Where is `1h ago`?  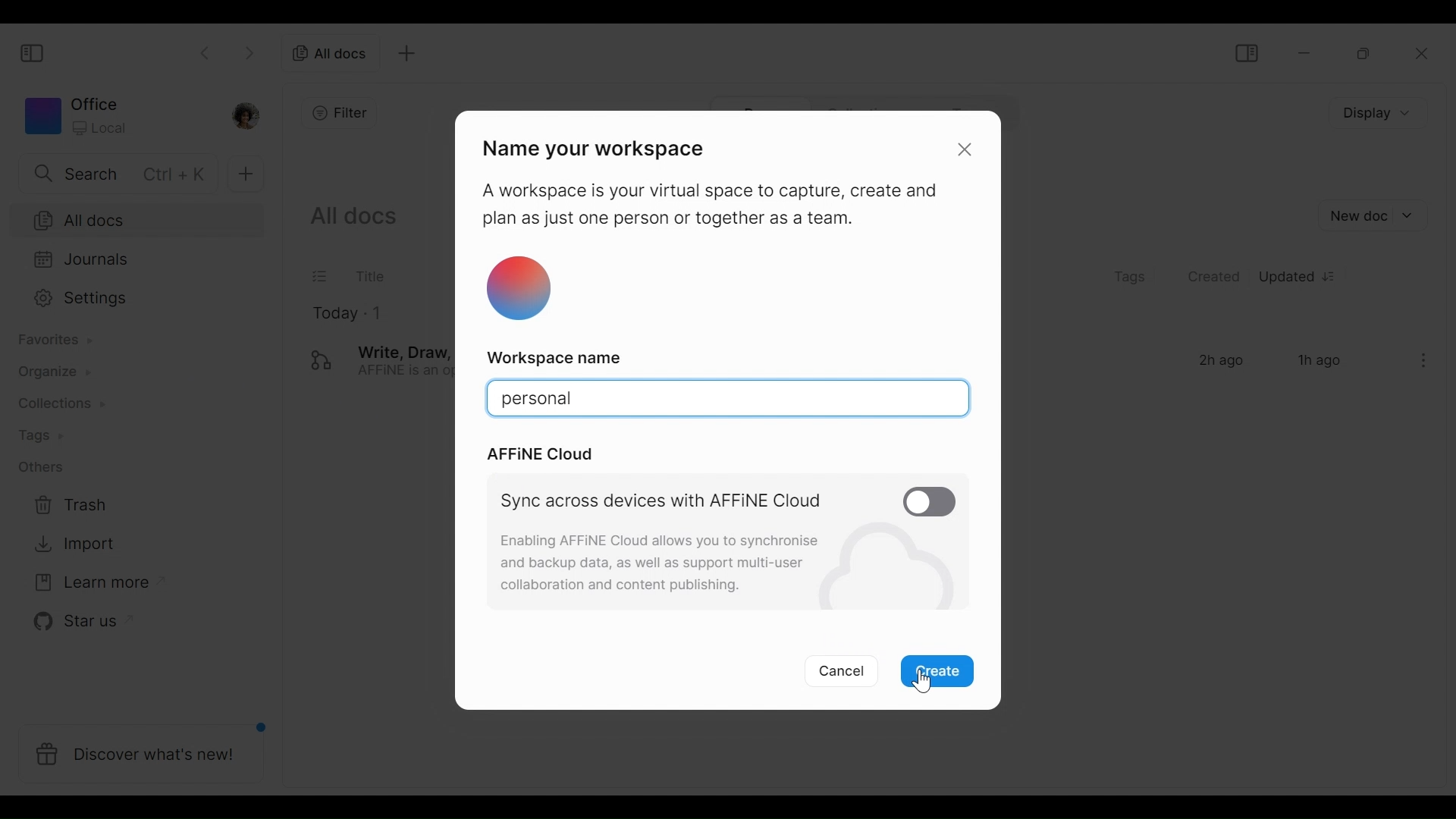 1h ago is located at coordinates (1321, 362).